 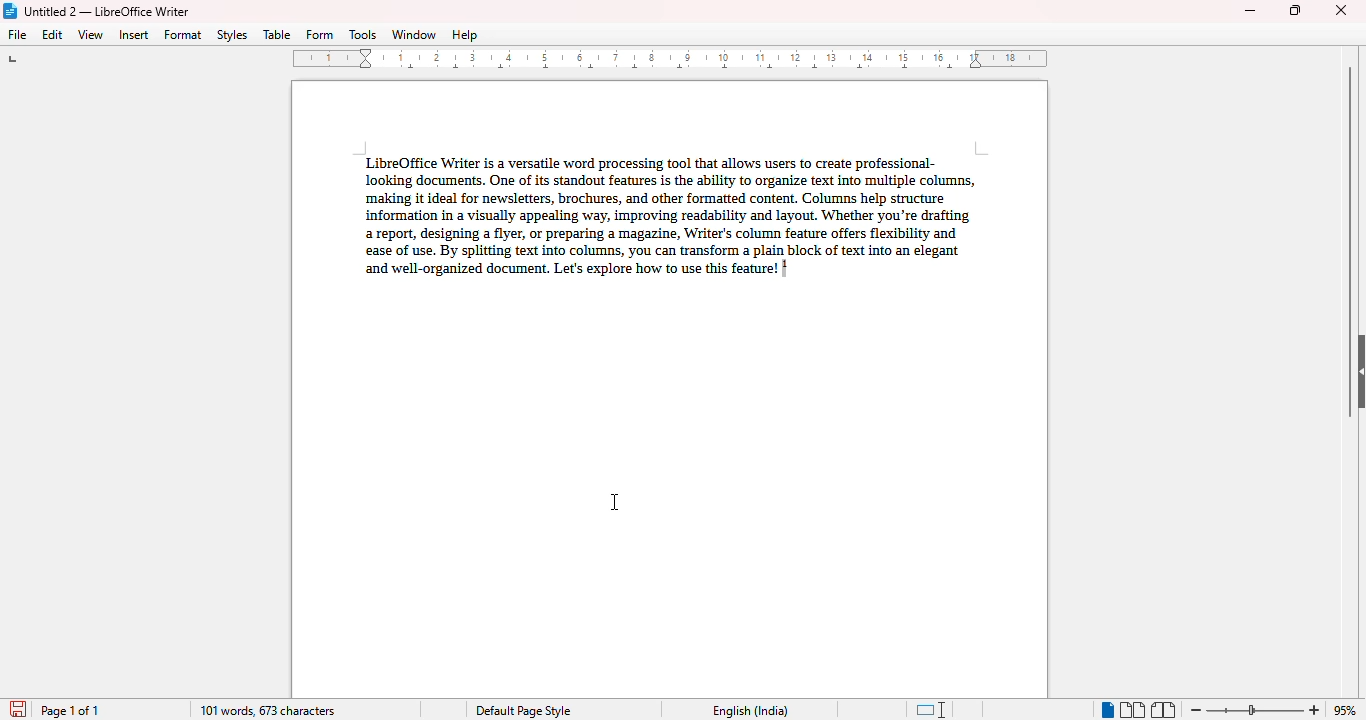 What do you see at coordinates (615, 503) in the screenshot?
I see `cursor` at bounding box center [615, 503].